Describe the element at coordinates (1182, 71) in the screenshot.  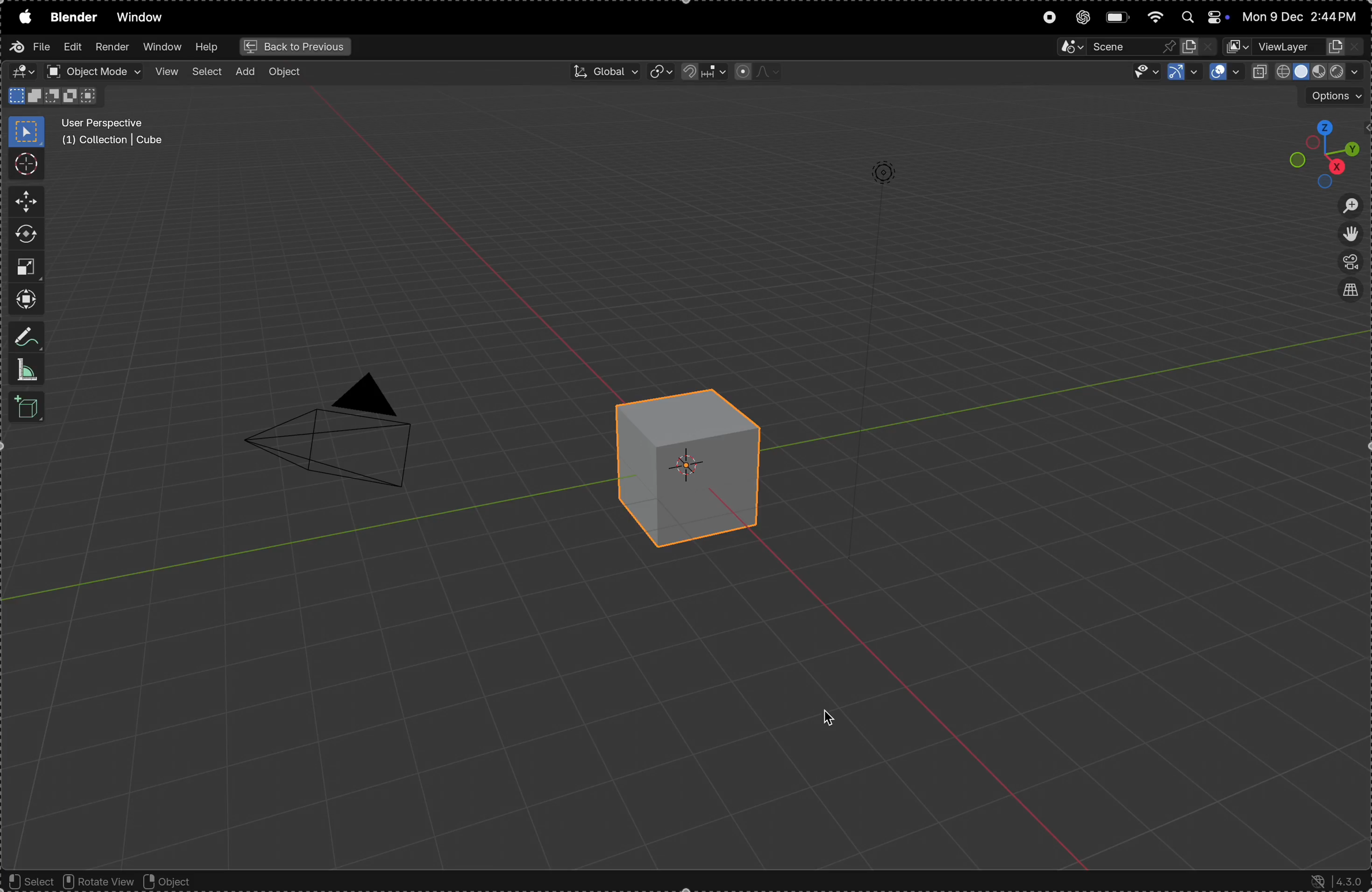
I see `show gimzo` at that location.